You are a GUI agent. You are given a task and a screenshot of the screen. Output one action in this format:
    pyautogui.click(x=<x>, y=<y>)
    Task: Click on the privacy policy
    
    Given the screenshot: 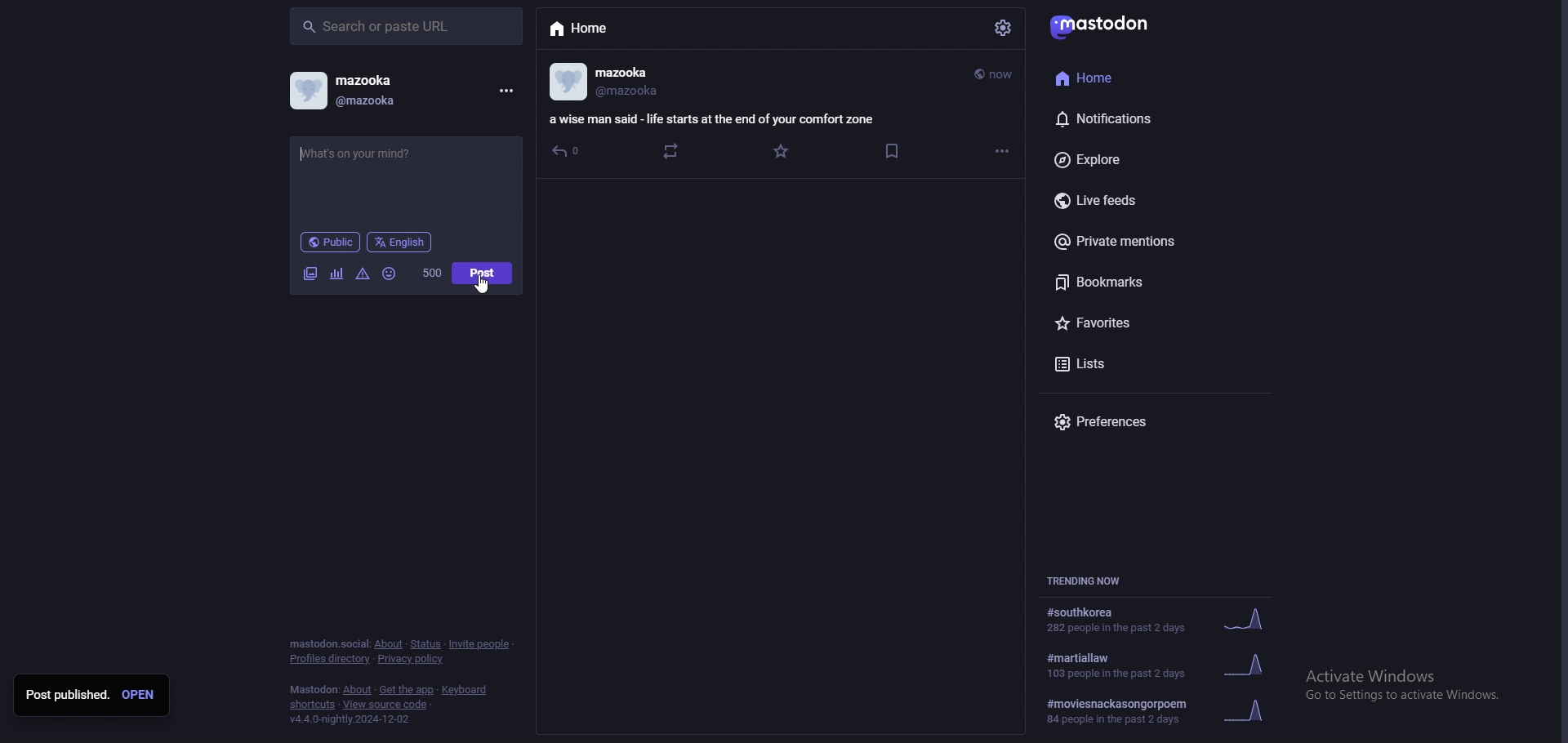 What is the action you would take?
    pyautogui.click(x=413, y=659)
    